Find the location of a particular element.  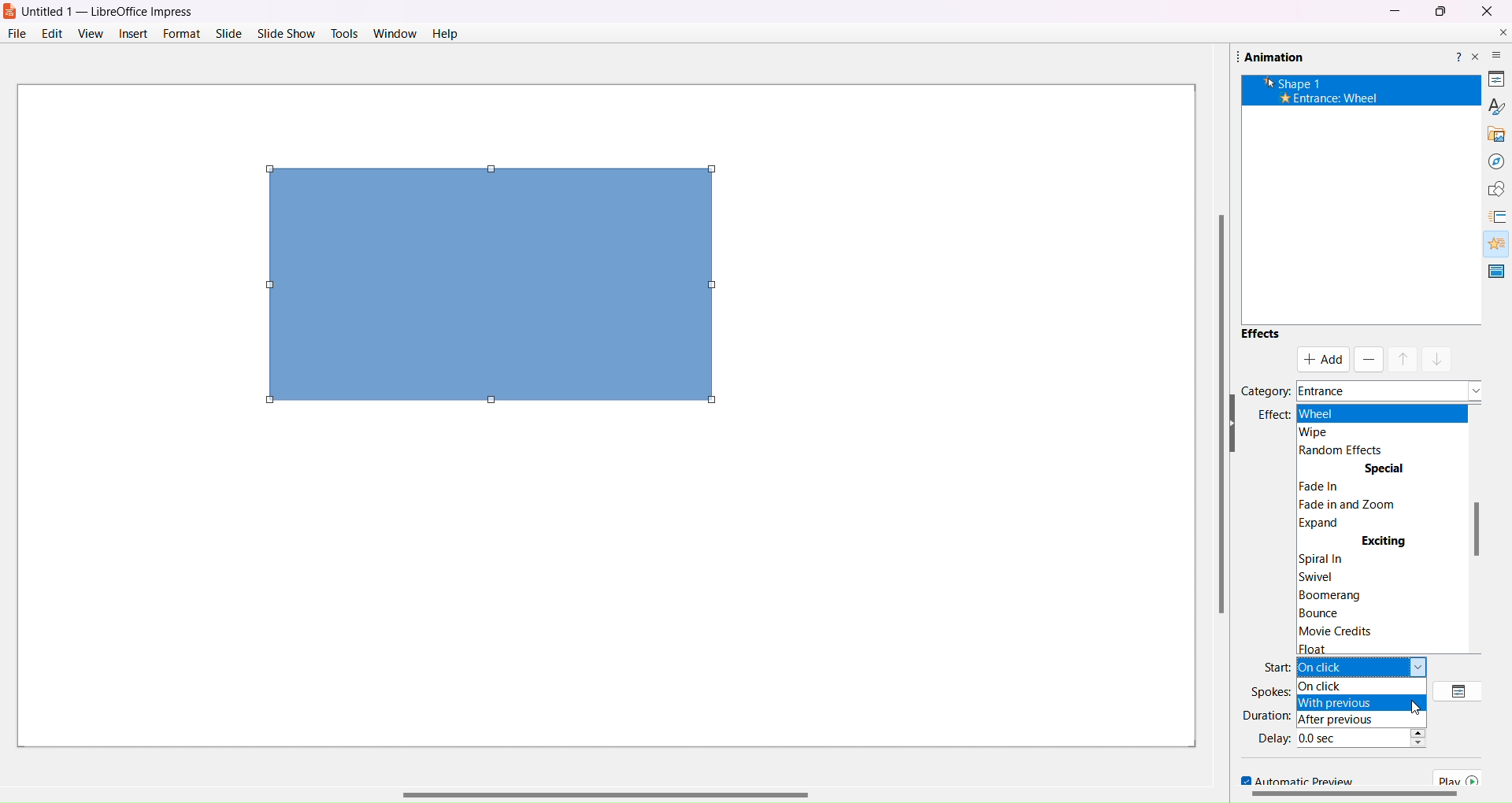

Styles is located at coordinates (1491, 105).